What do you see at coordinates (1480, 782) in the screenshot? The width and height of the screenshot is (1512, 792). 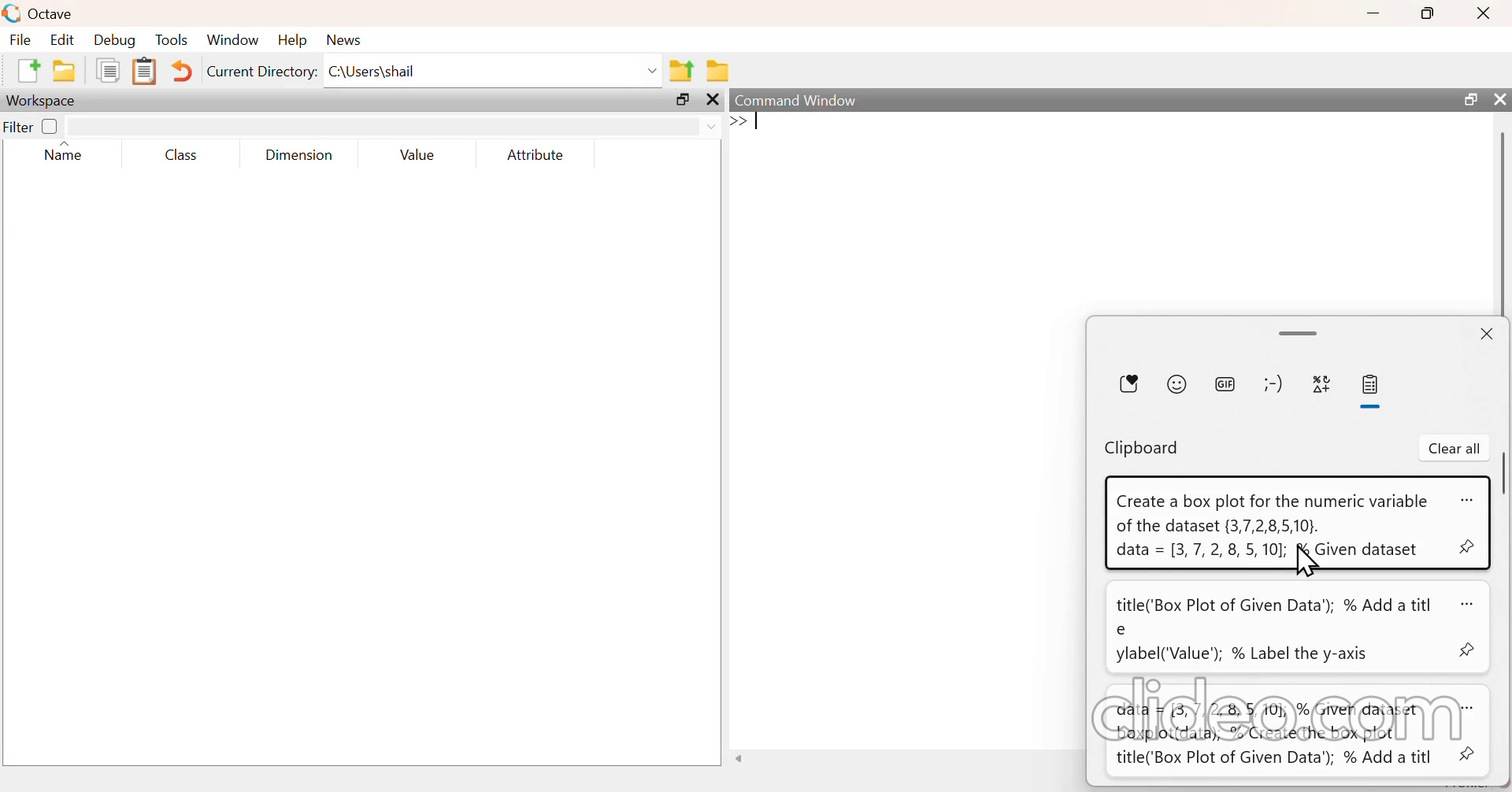 I see `profiler` at bounding box center [1480, 782].